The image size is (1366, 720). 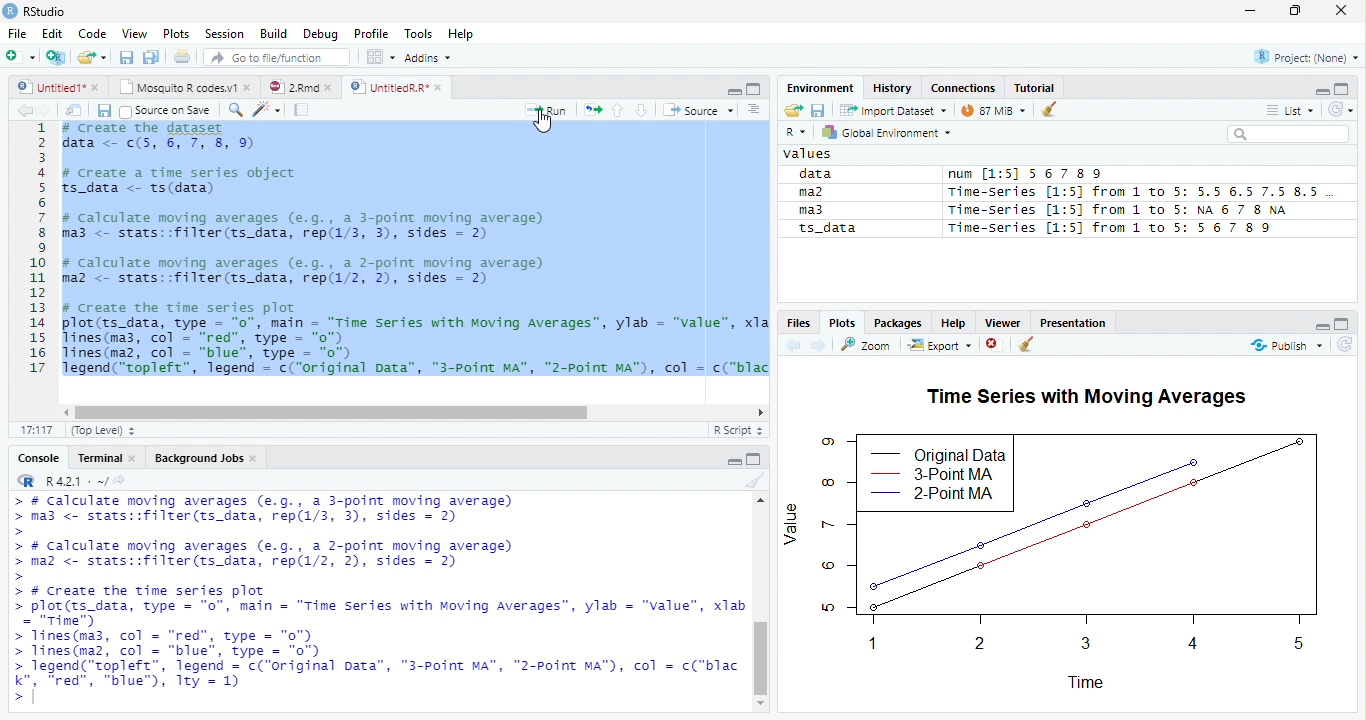 I want to click on Source on Save, so click(x=164, y=111).